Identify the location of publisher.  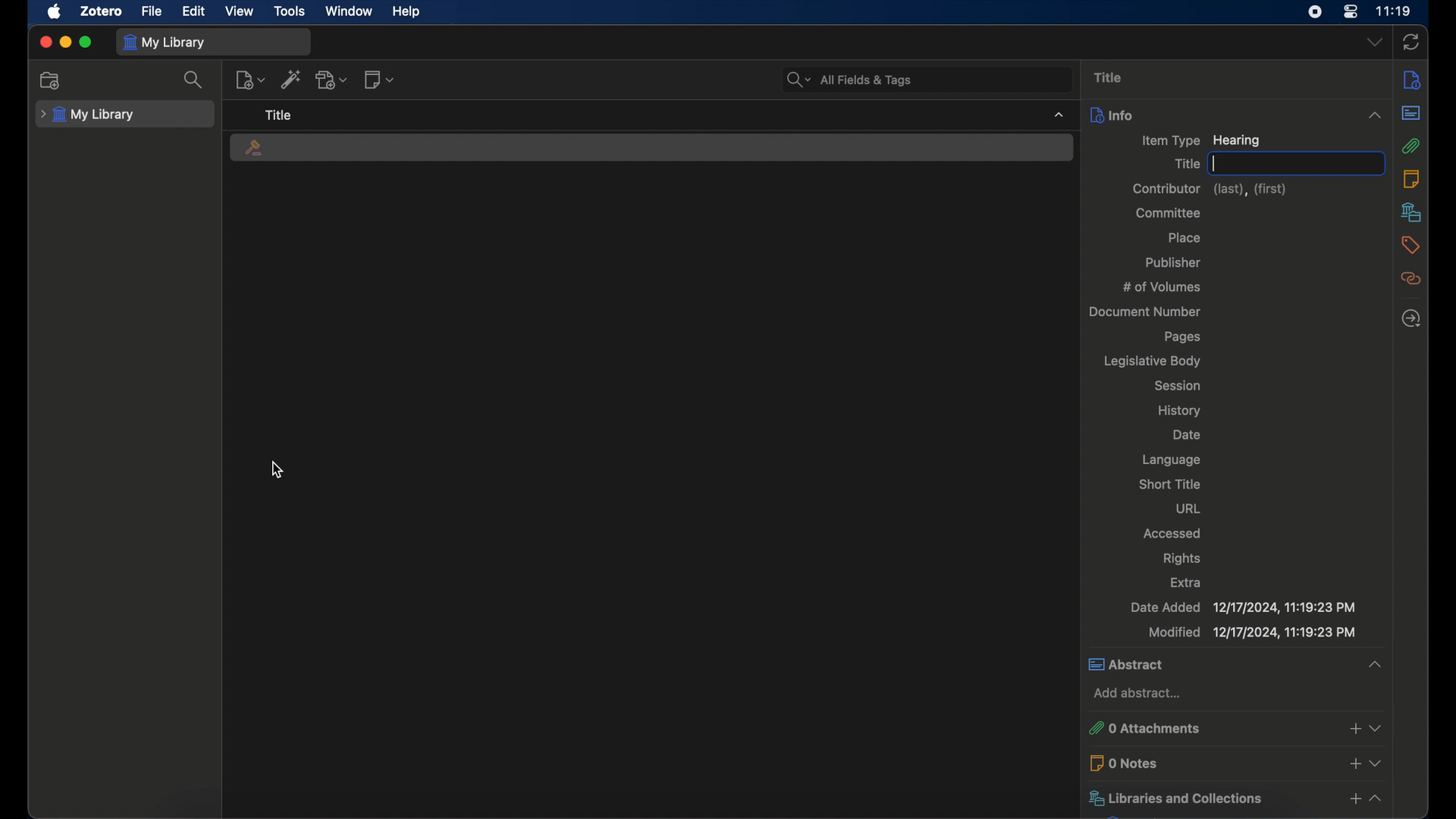
(1175, 263).